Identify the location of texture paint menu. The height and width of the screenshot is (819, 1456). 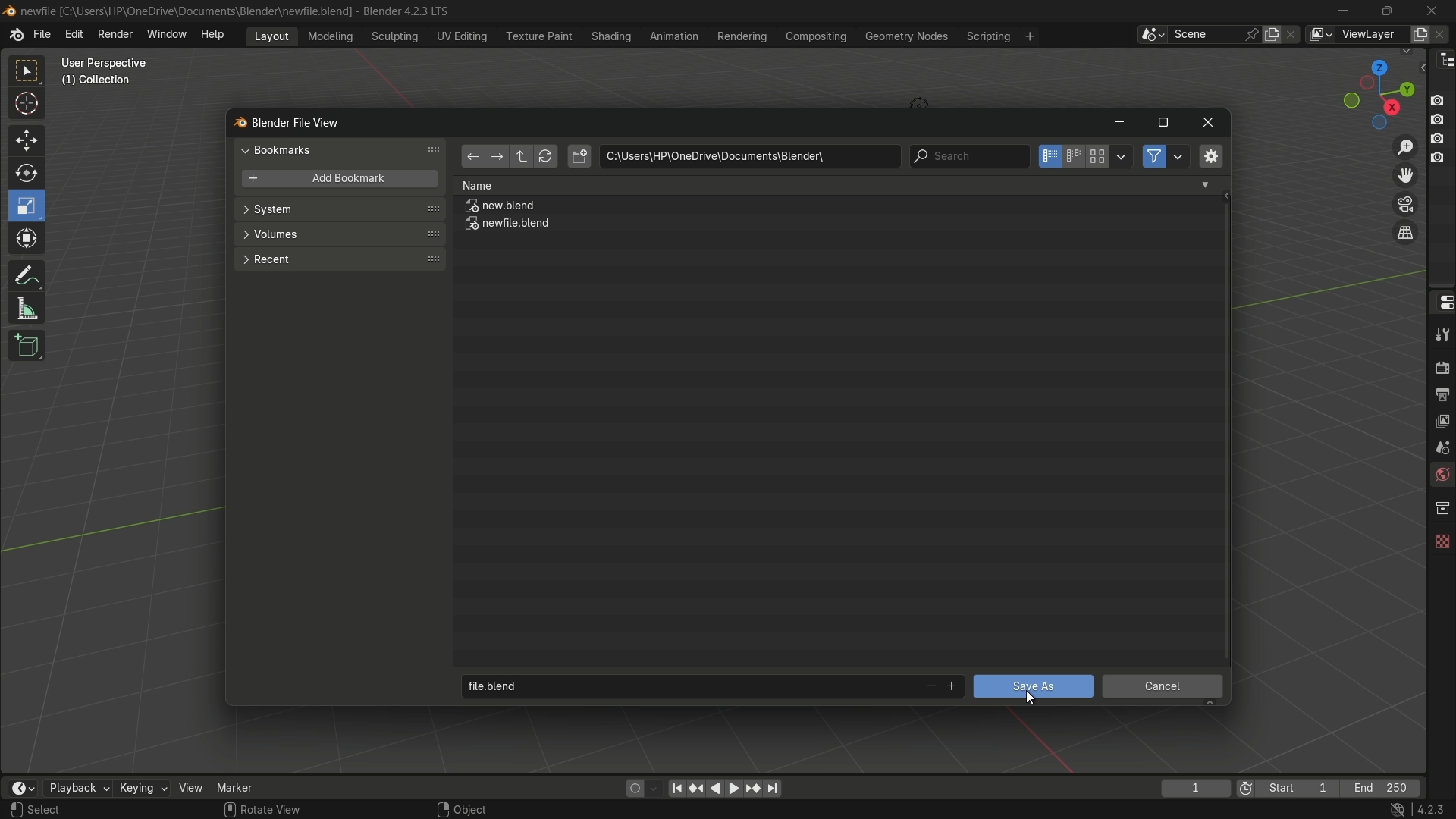
(538, 35).